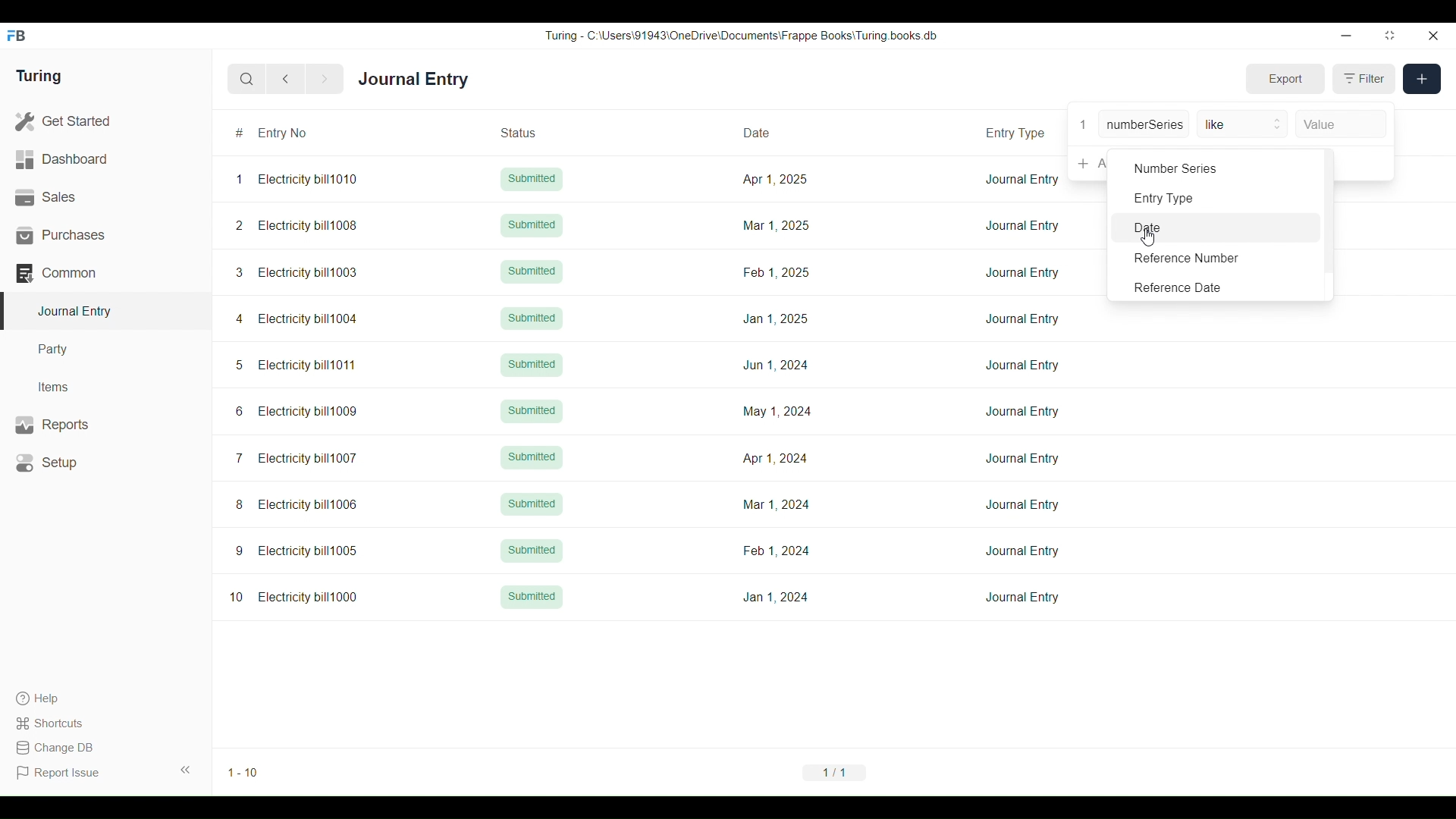  What do you see at coordinates (296, 458) in the screenshot?
I see `7 Electricity bill1007` at bounding box center [296, 458].